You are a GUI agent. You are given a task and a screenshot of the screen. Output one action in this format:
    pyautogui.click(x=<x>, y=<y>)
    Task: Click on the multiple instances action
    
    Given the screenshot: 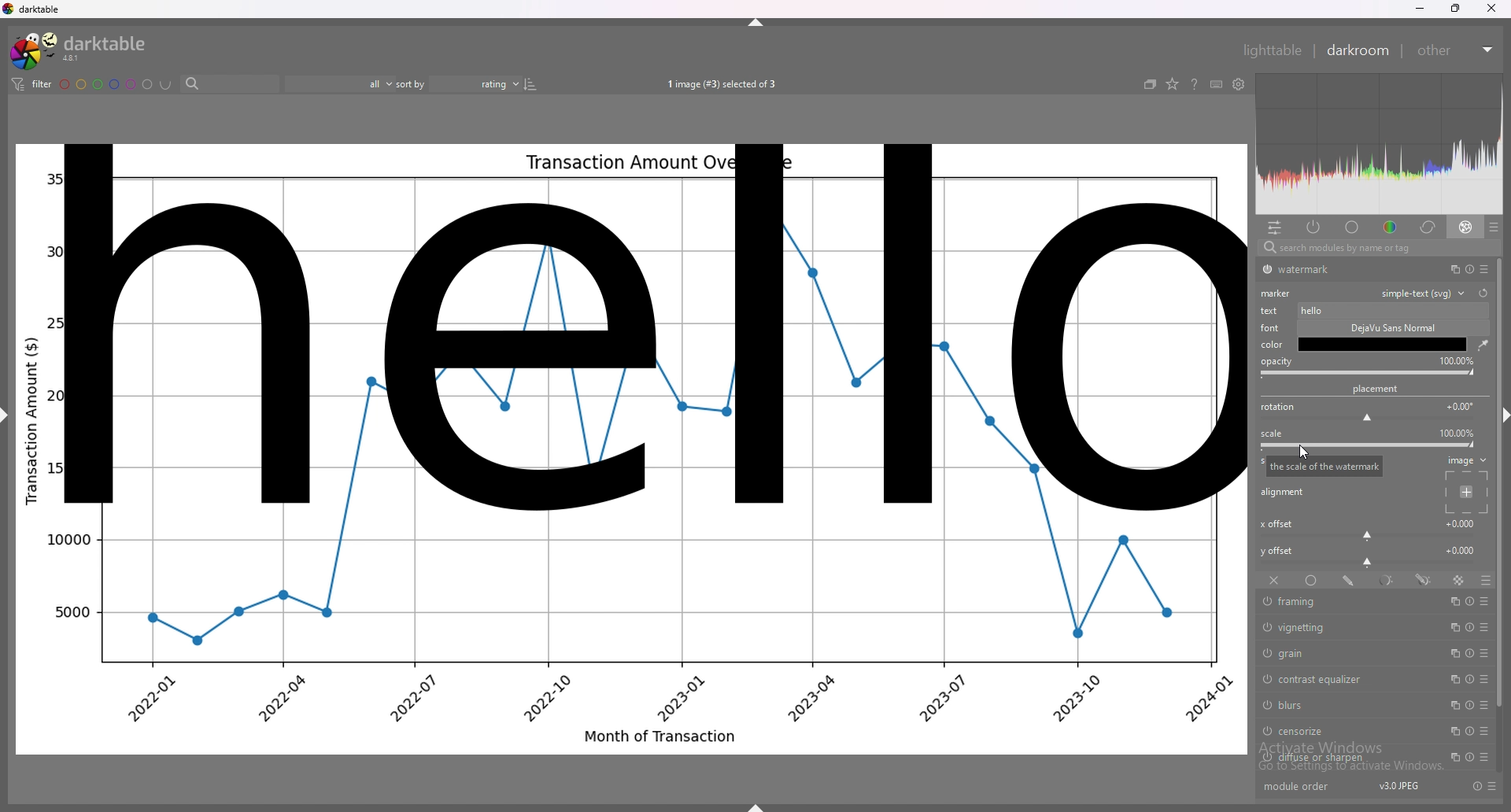 What is the action you would take?
    pyautogui.click(x=1453, y=680)
    